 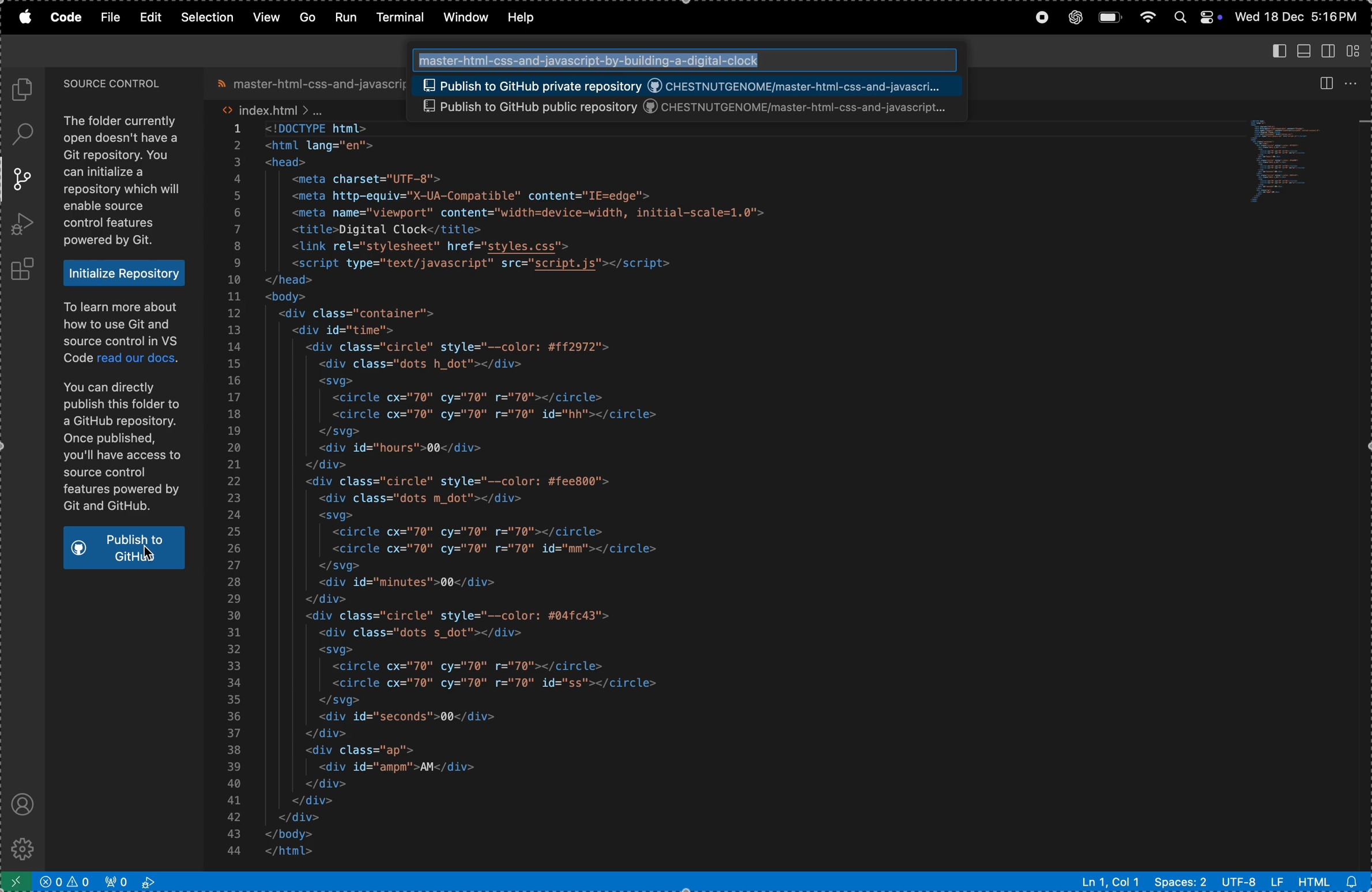 I want to click on source control, so click(x=21, y=181).